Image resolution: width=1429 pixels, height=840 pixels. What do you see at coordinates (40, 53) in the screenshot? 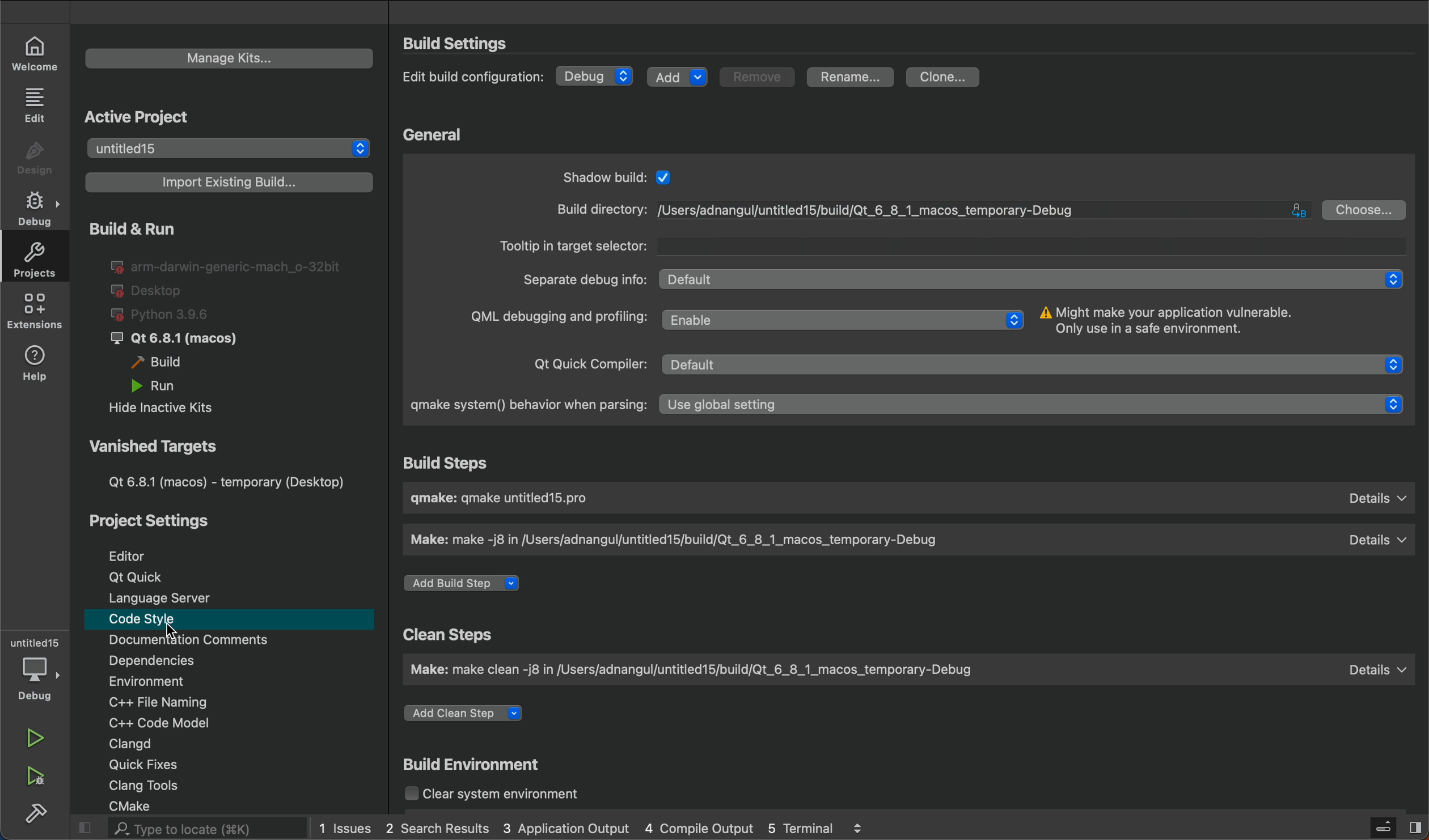
I see `welcome` at bounding box center [40, 53].